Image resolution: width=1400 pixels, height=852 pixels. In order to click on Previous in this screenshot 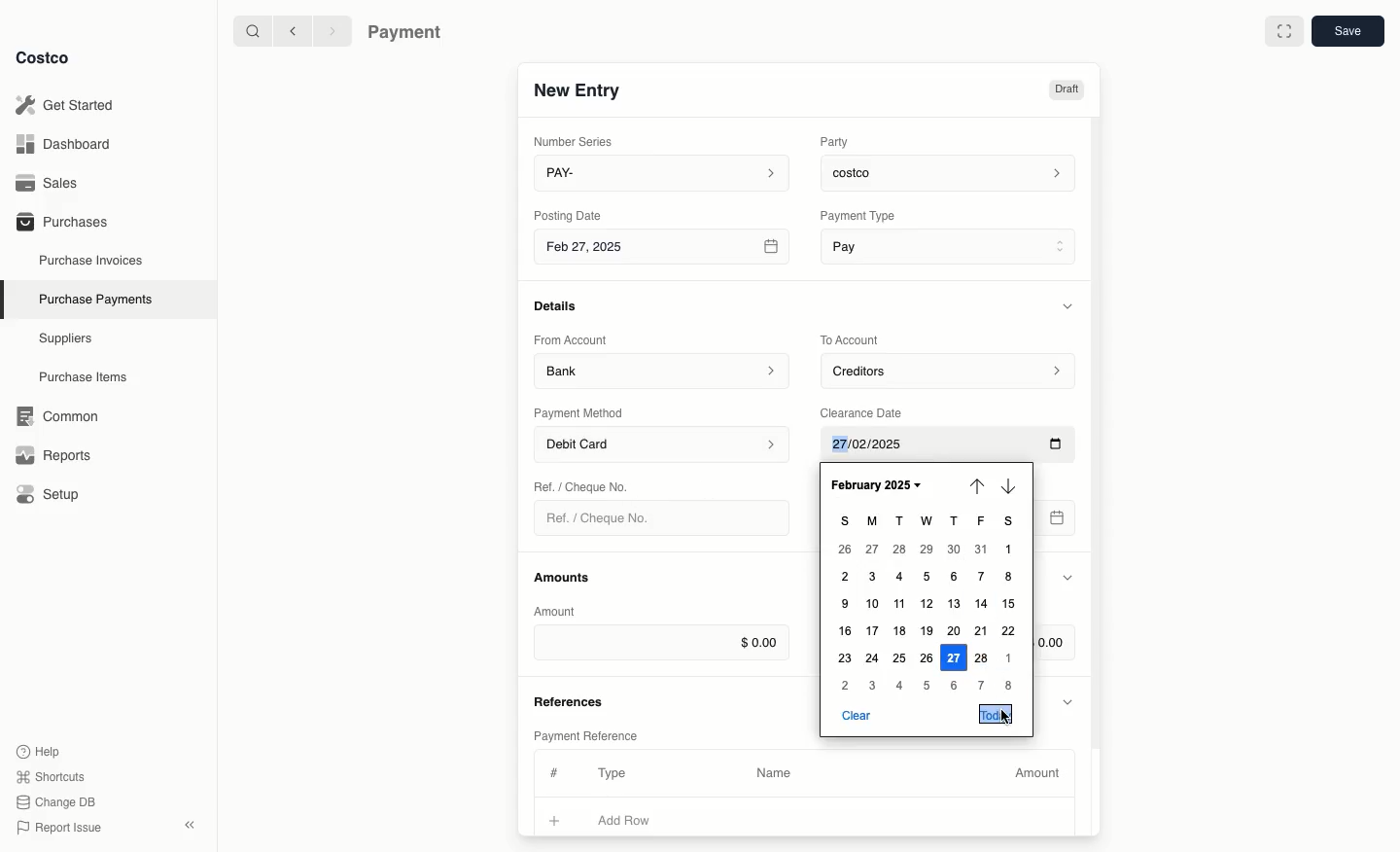, I will do `click(977, 484)`.